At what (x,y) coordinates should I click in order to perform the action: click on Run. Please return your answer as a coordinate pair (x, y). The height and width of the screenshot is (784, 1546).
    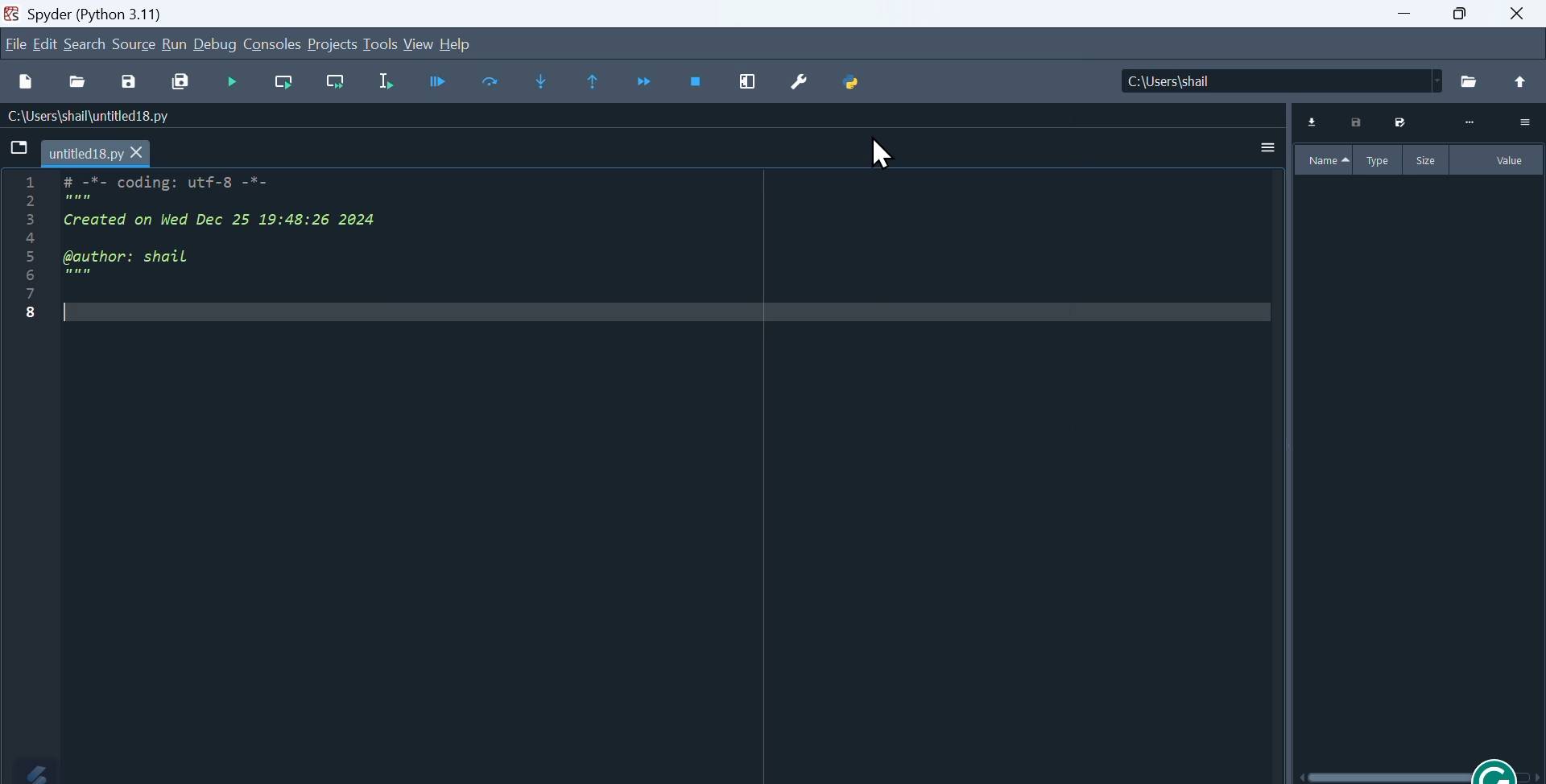
    Looking at the image, I should click on (177, 43).